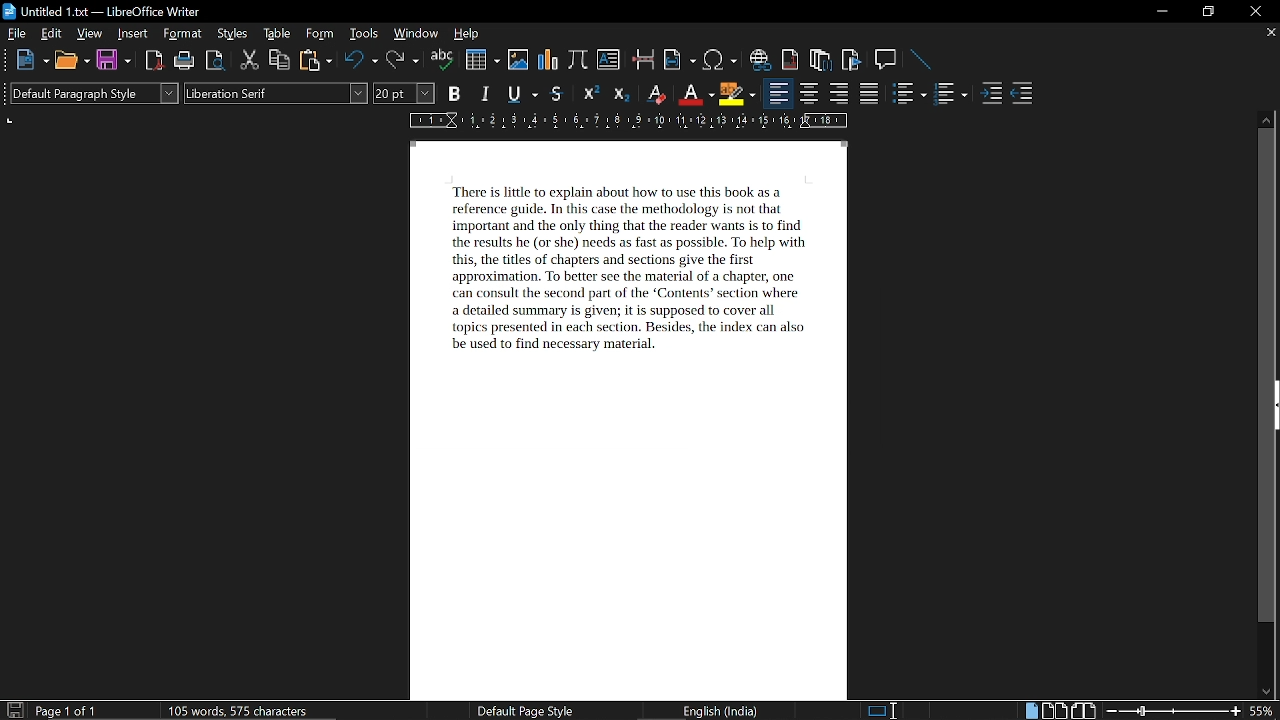  I want to click on paragraph style, so click(94, 93).